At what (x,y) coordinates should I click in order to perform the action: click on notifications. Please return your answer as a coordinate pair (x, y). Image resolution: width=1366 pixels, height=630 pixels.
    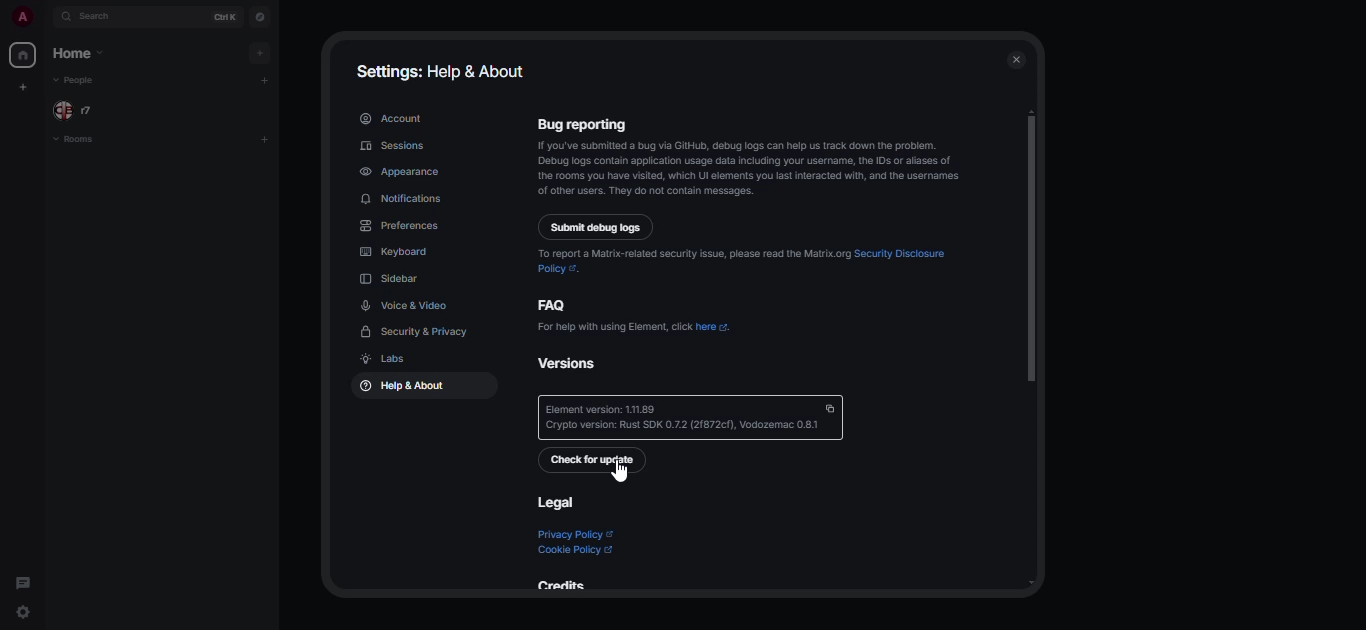
    Looking at the image, I should click on (404, 199).